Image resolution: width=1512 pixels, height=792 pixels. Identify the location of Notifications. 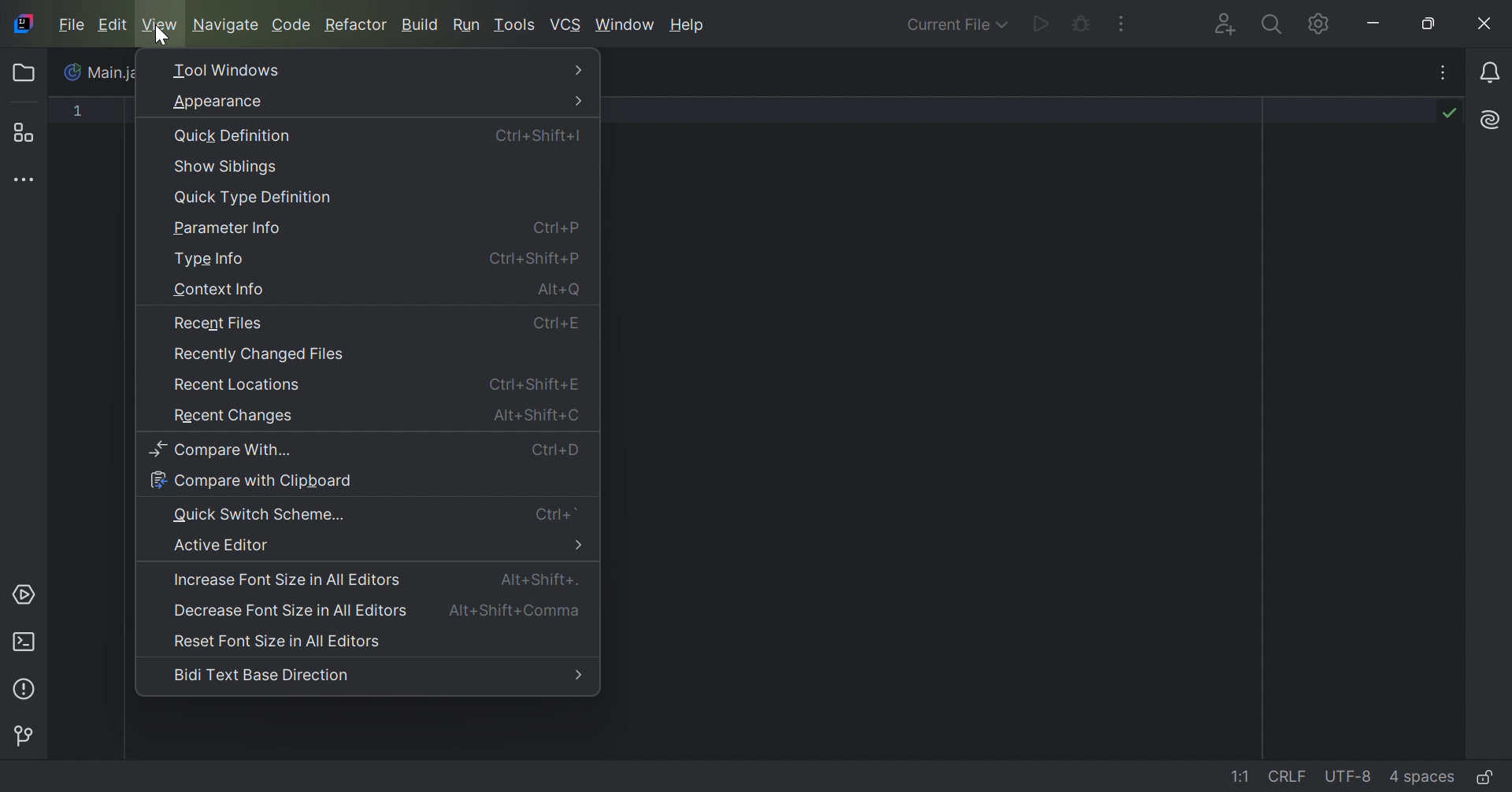
(1493, 72).